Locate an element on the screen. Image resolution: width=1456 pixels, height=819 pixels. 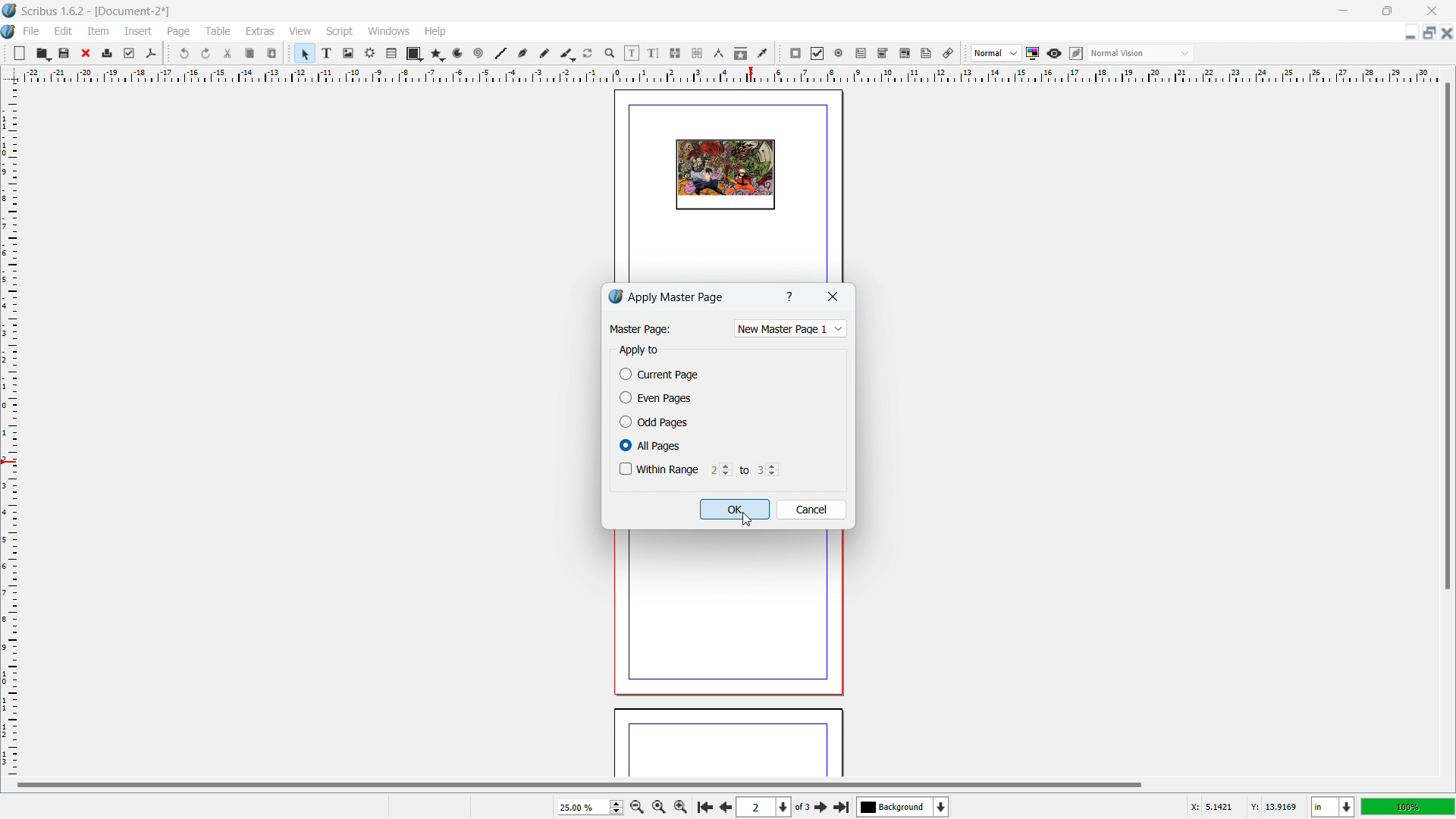
page design is located at coordinates (725, 175).